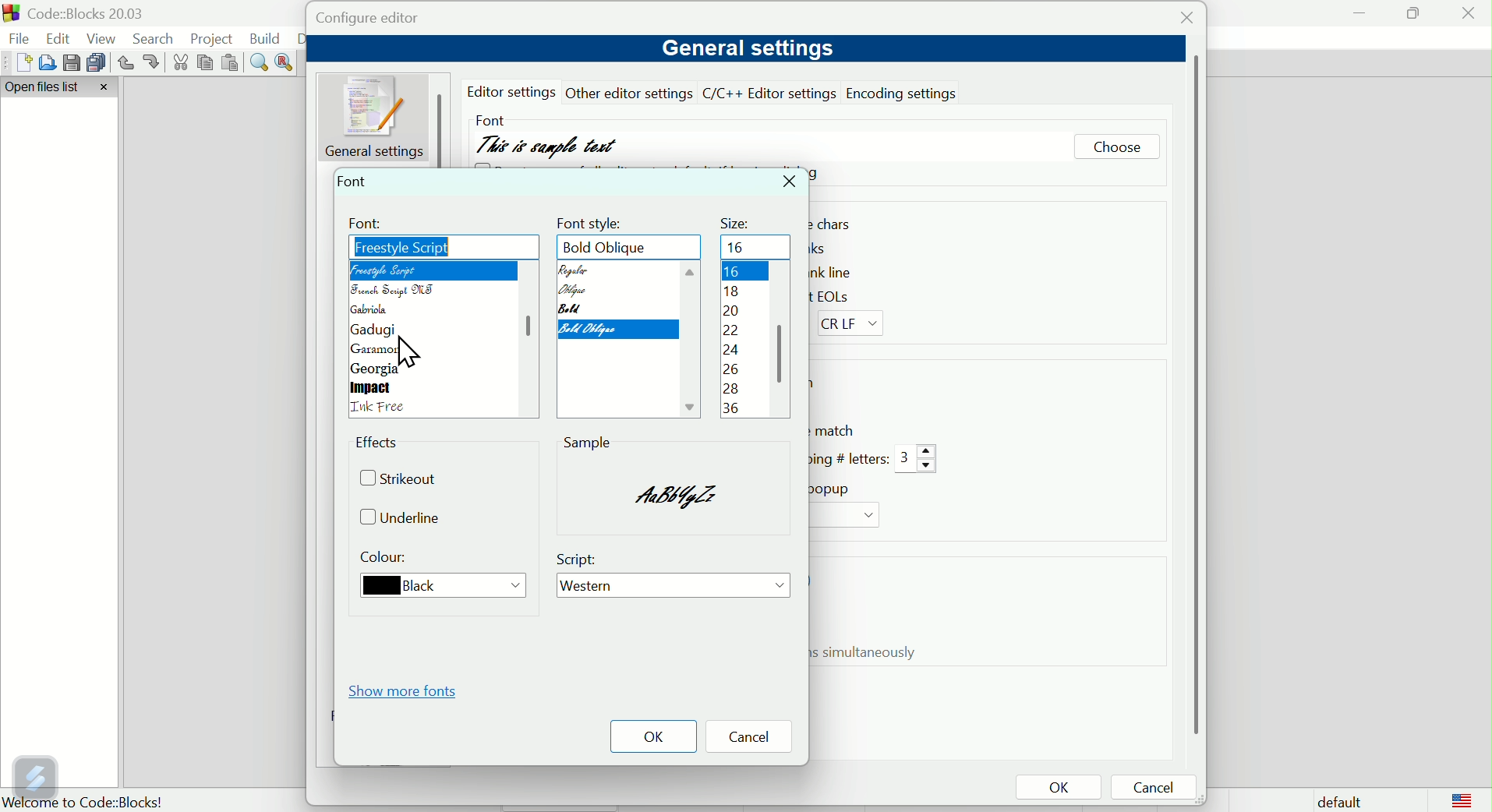 Image resolution: width=1492 pixels, height=812 pixels. Describe the element at coordinates (20, 40) in the screenshot. I see `file` at that location.